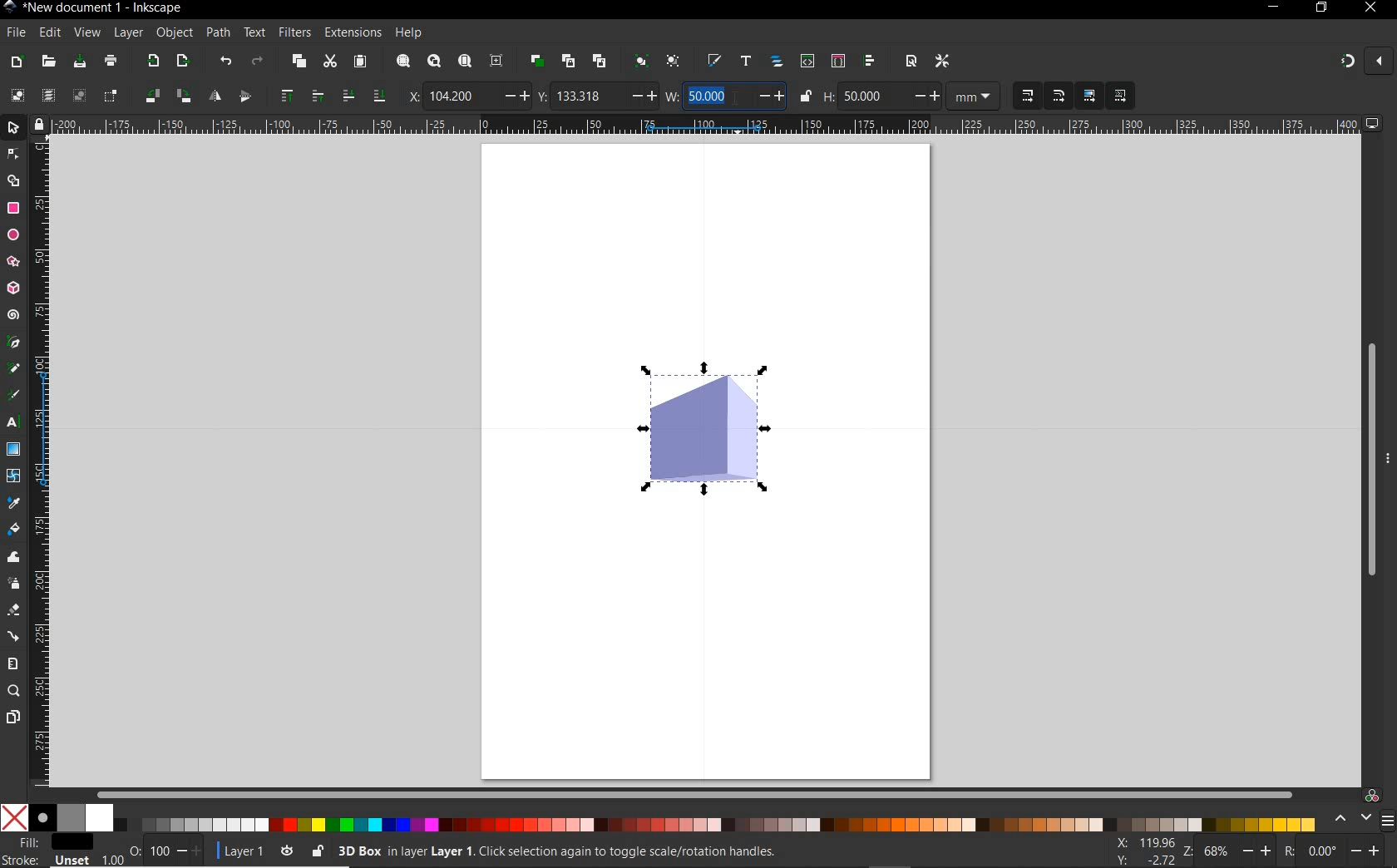  Describe the element at coordinates (926, 96) in the screenshot. I see `increase/decrease` at that location.